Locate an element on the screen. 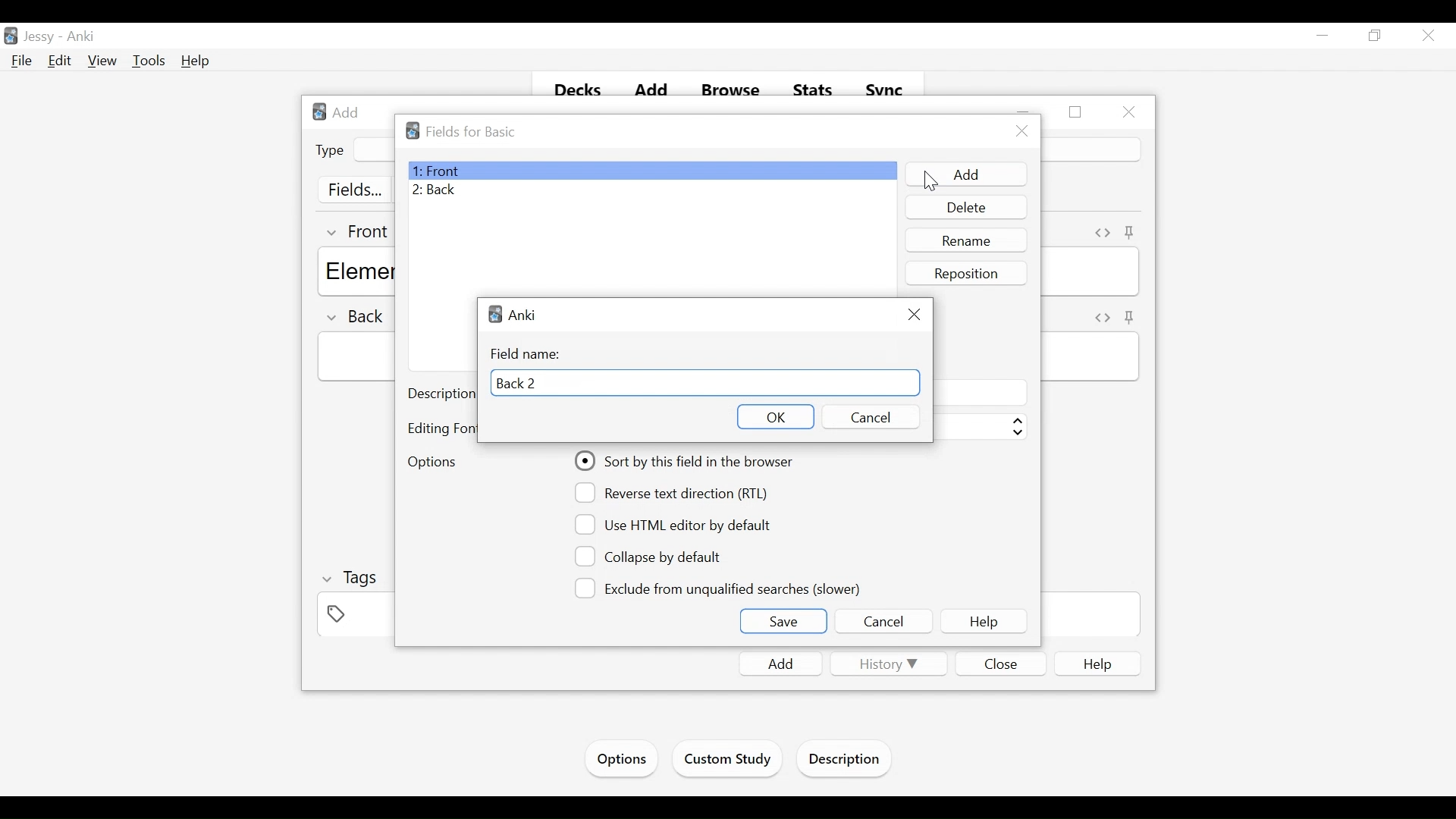 This screenshot has width=1456, height=819. Tools is located at coordinates (149, 61).